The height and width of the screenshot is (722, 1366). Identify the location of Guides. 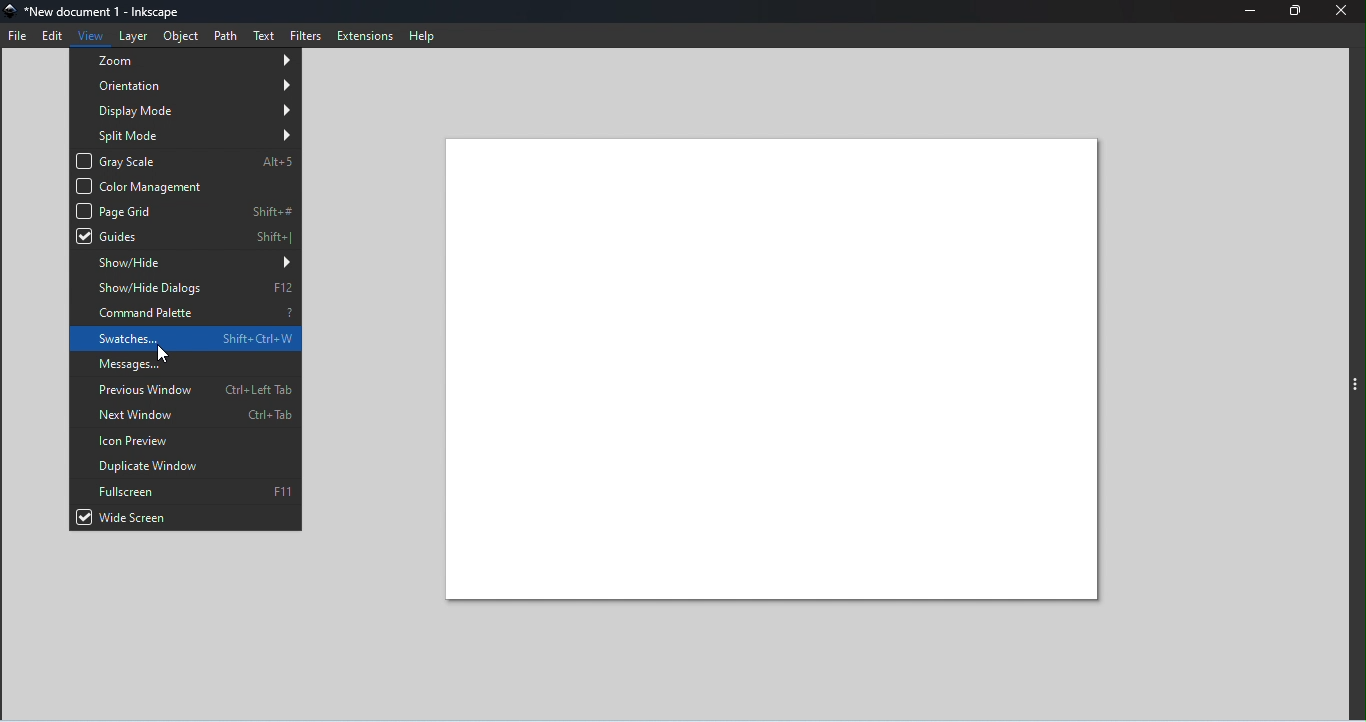
(187, 234).